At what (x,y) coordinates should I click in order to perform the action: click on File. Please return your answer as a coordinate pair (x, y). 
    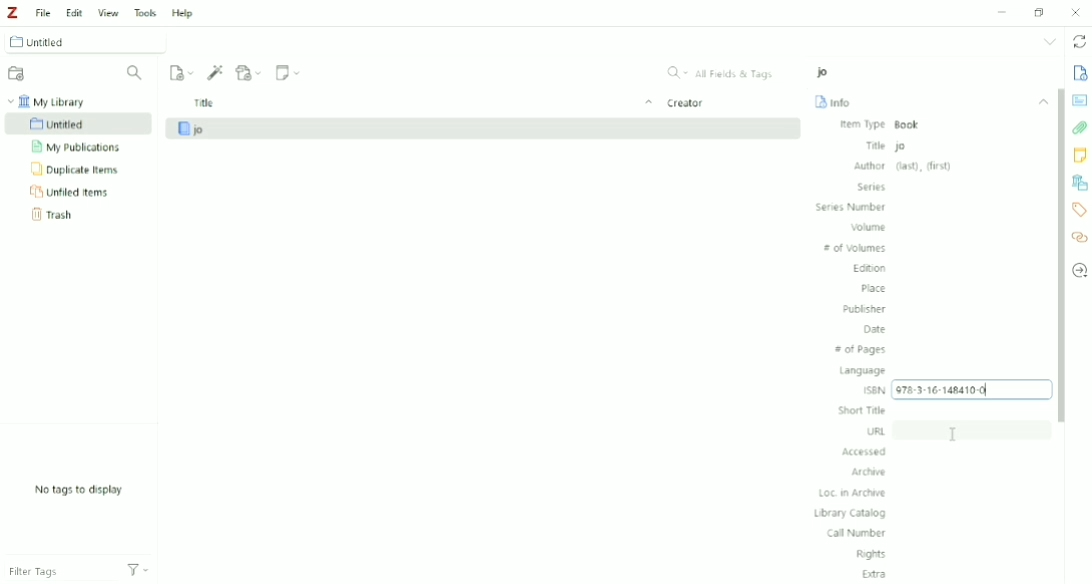
    Looking at the image, I should click on (42, 12).